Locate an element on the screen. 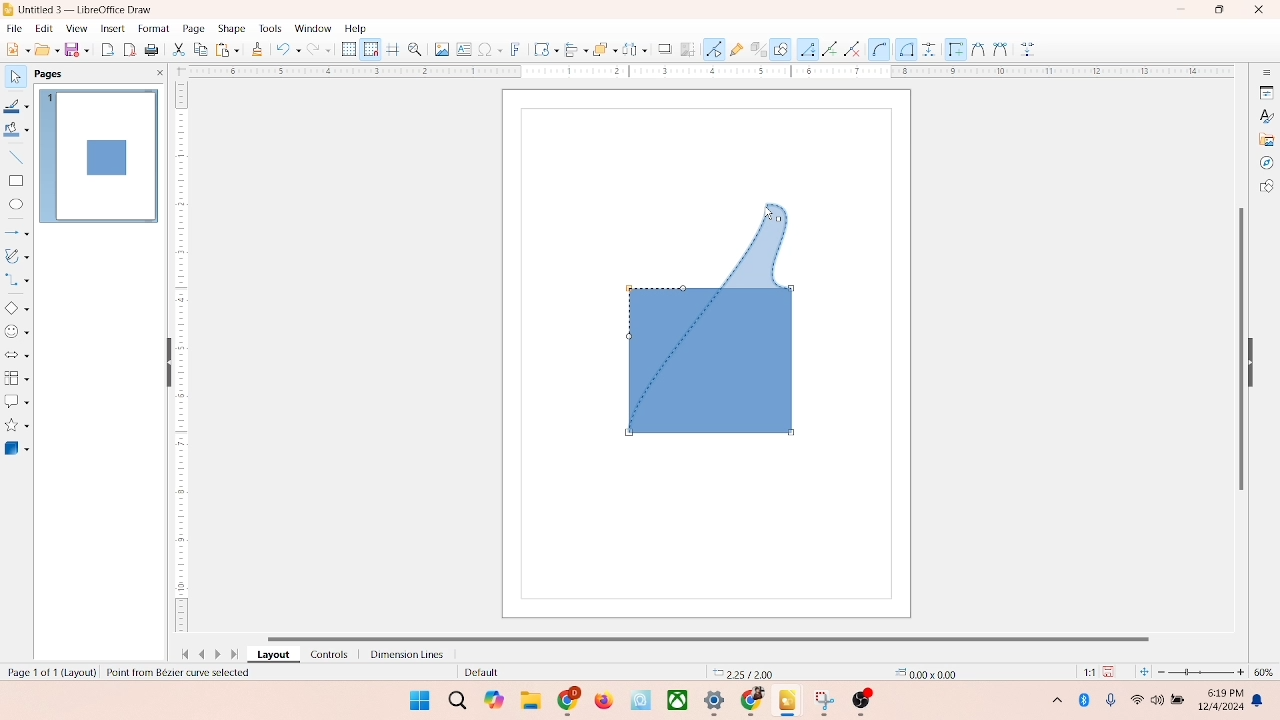  transformation is located at coordinates (541, 49).